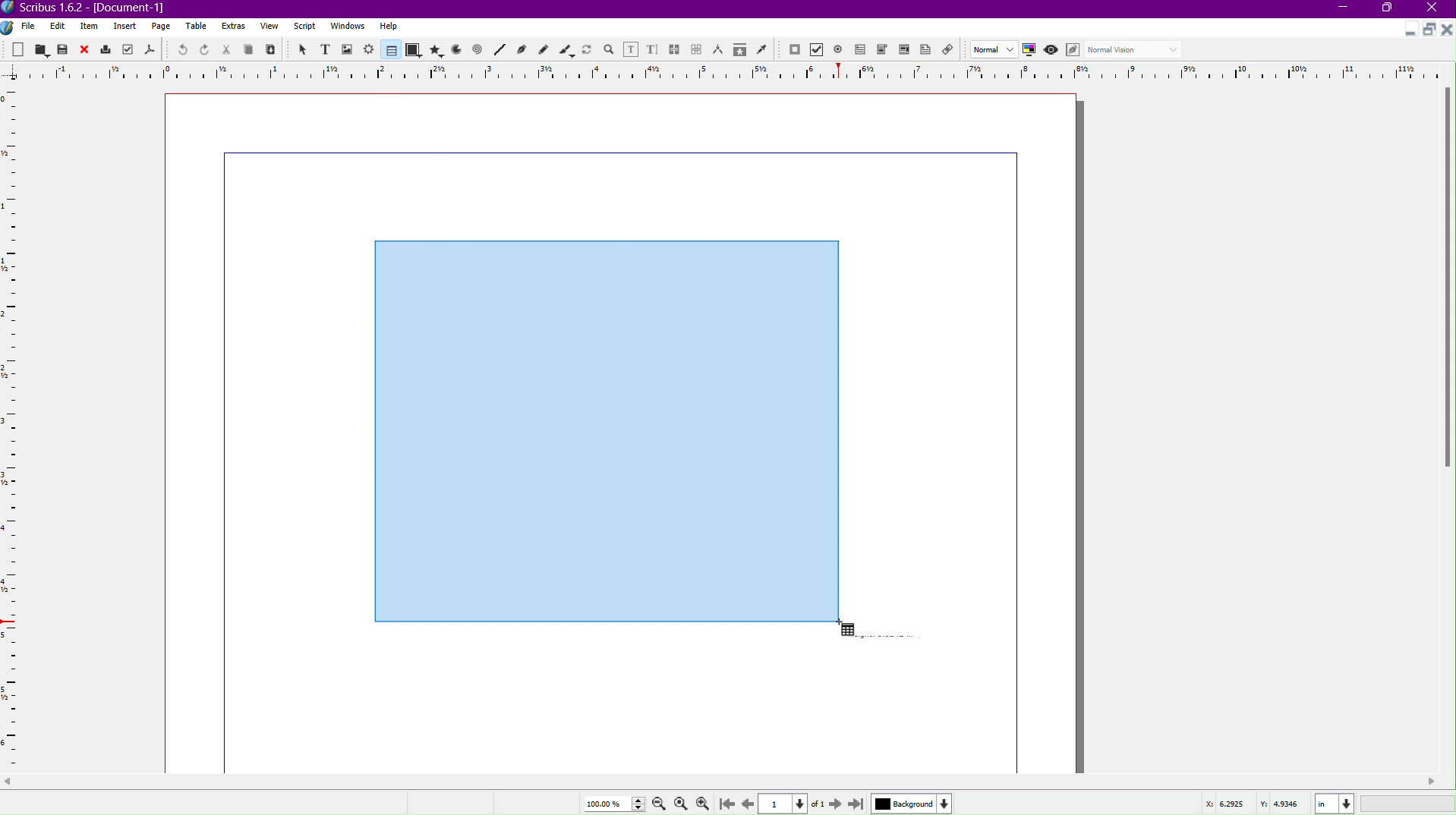 The height and width of the screenshot is (815, 1456). I want to click on Select the visual appearance of the display, so click(1136, 50).